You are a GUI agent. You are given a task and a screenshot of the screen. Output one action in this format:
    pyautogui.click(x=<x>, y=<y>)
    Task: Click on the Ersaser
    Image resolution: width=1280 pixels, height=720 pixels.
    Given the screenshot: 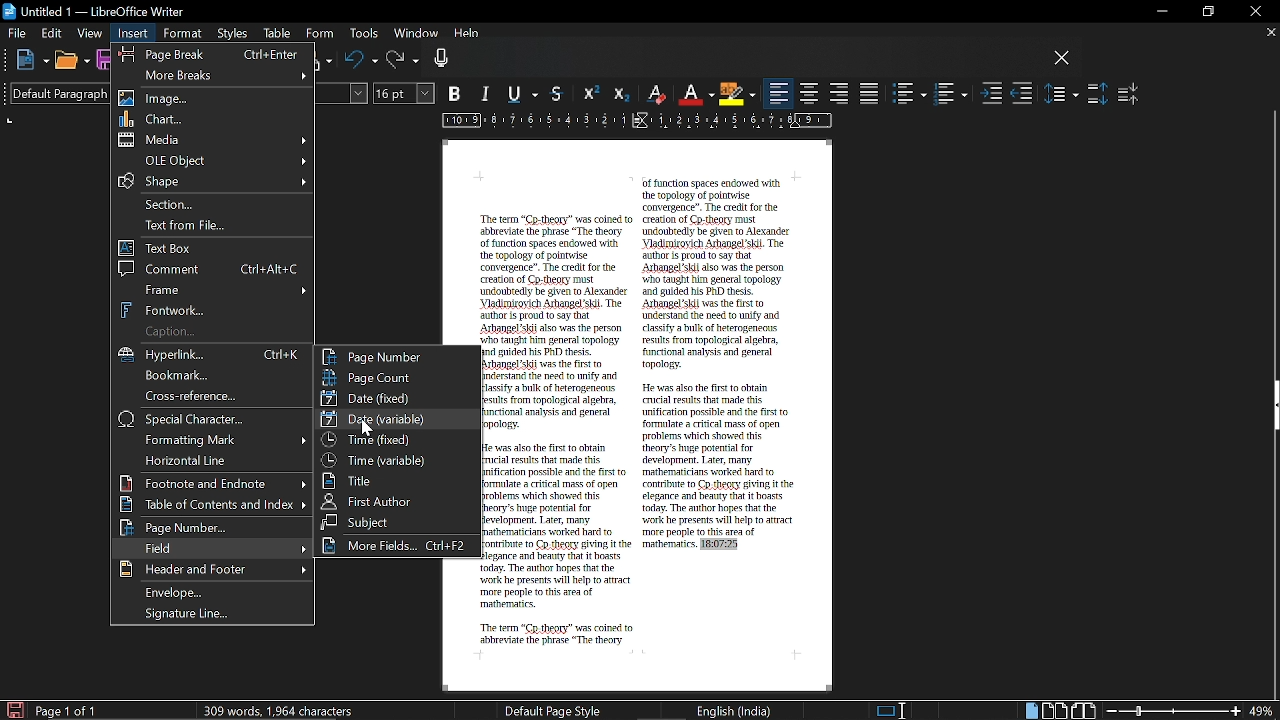 What is the action you would take?
    pyautogui.click(x=657, y=95)
    